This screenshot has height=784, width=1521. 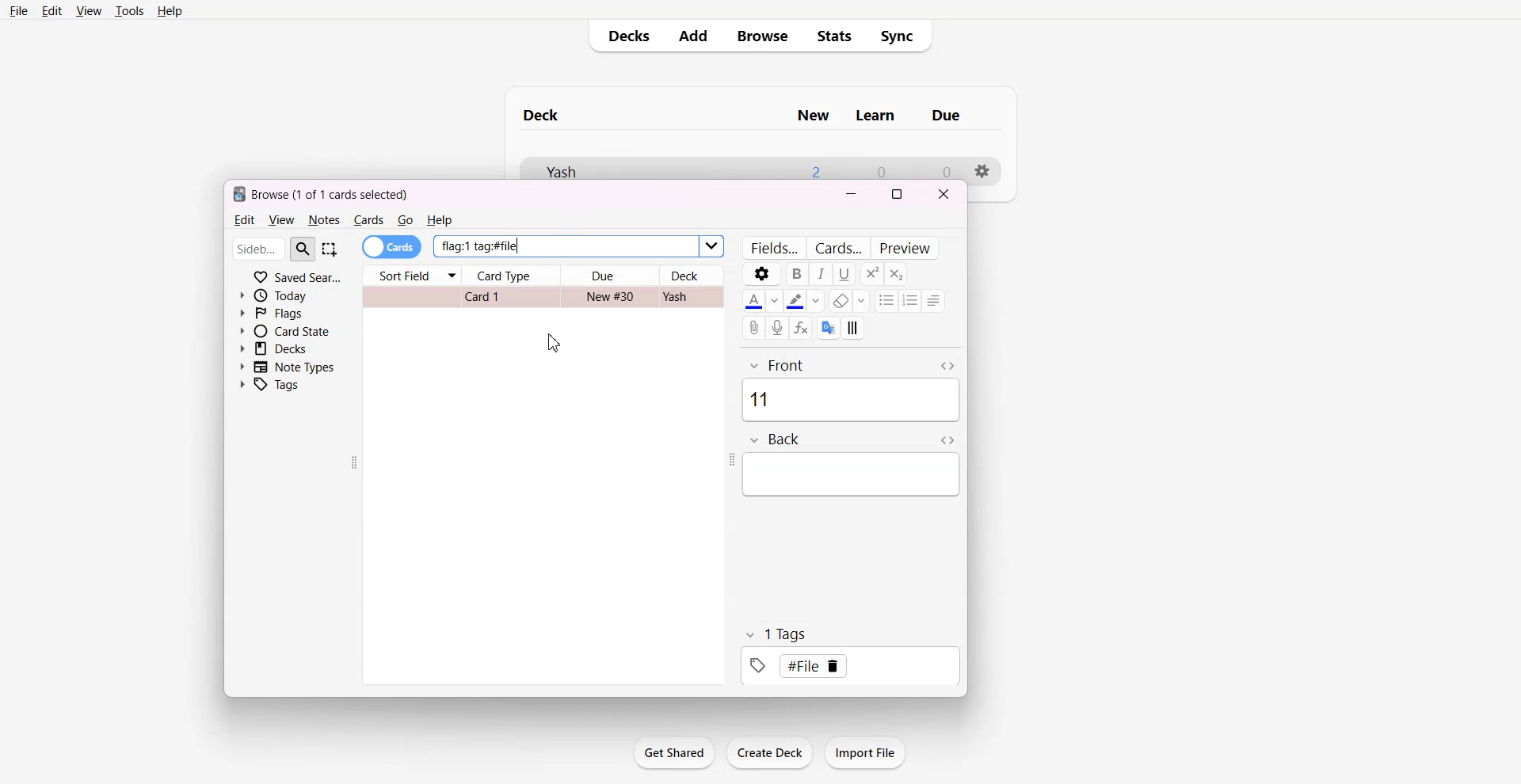 I want to click on Add, so click(x=698, y=37).